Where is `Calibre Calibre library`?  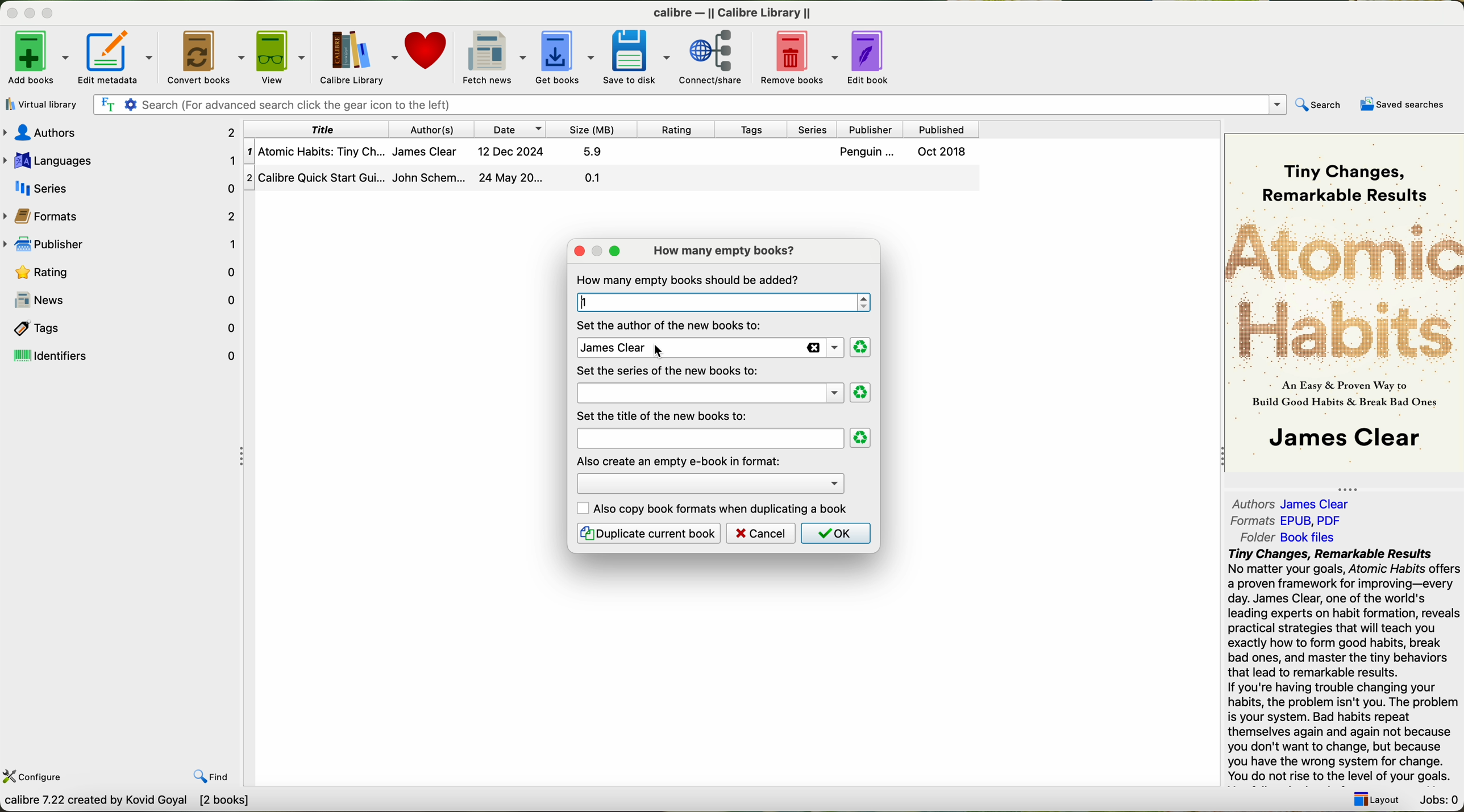
Calibre Calibre library is located at coordinates (737, 10).